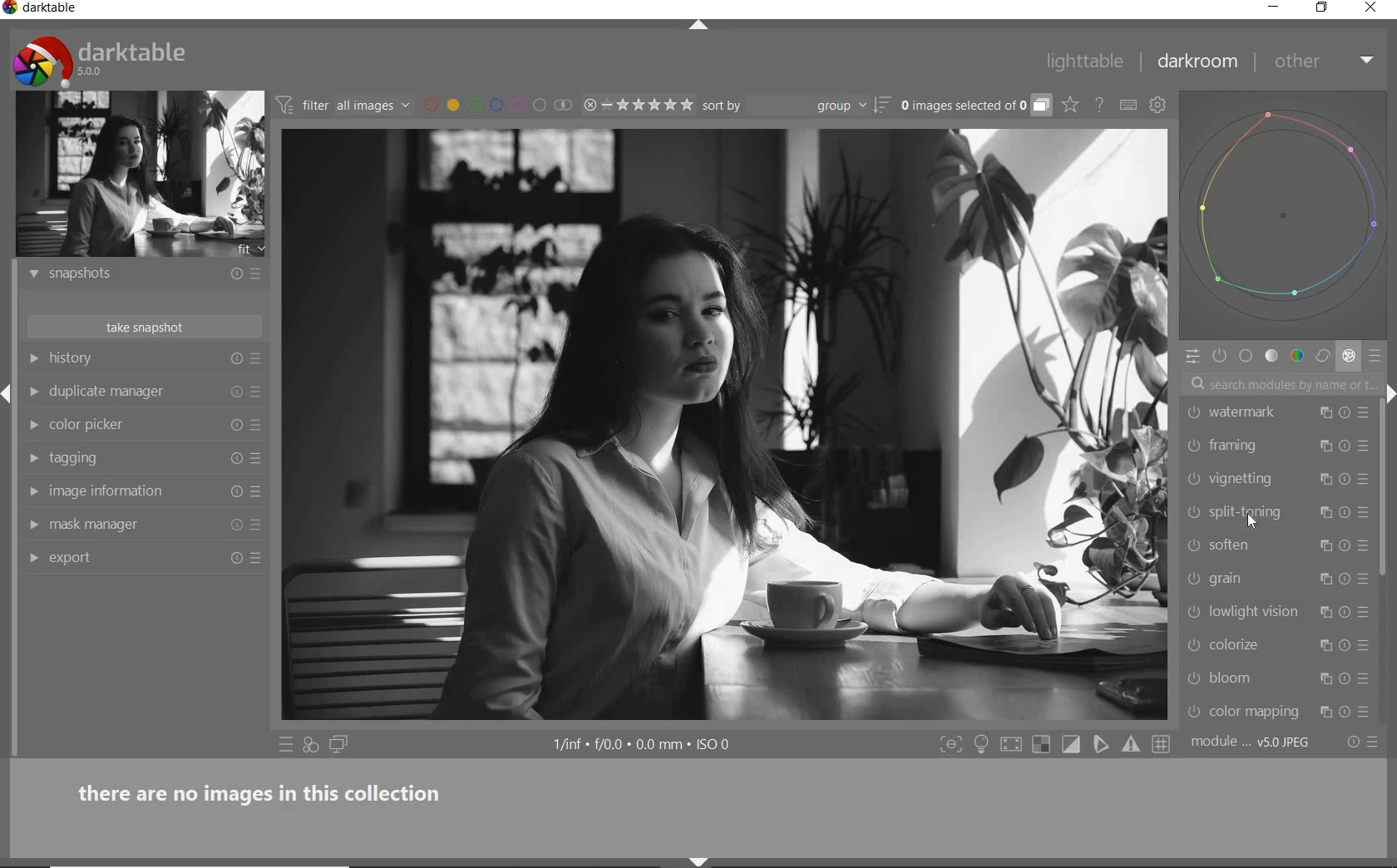 The height and width of the screenshot is (868, 1397). I want to click on reset, so click(234, 492).